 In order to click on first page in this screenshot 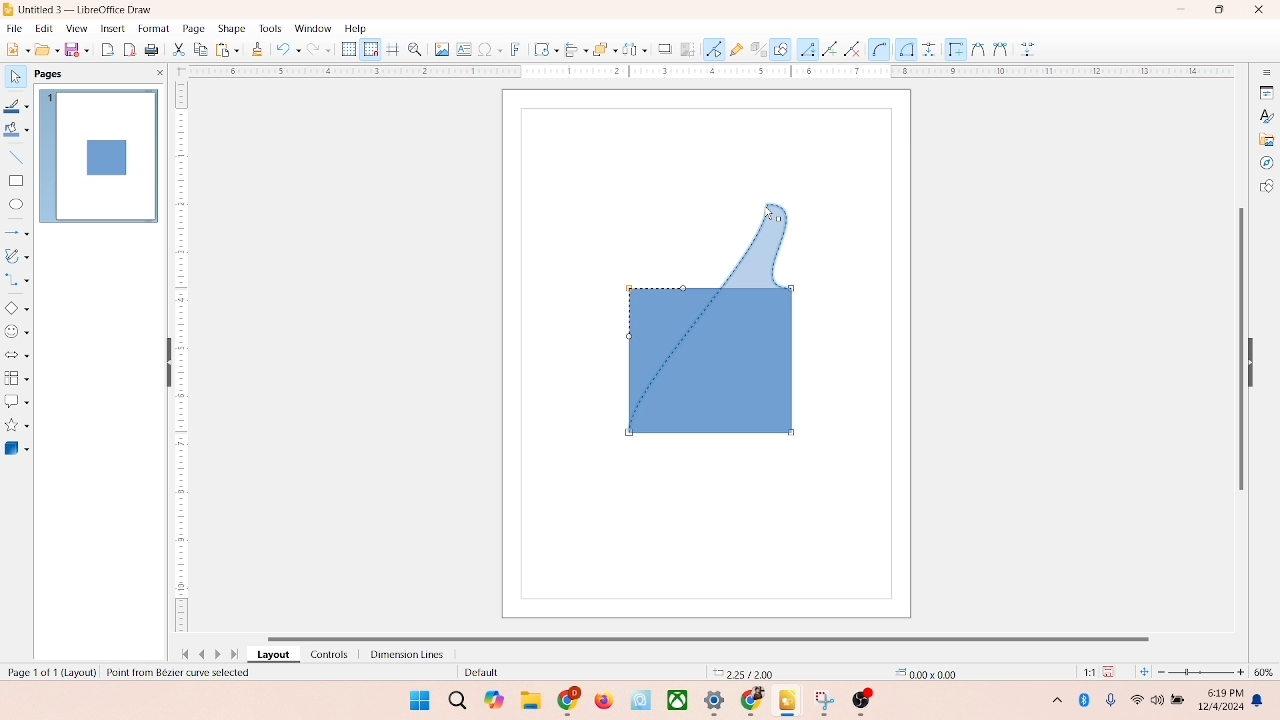, I will do `click(181, 652)`.